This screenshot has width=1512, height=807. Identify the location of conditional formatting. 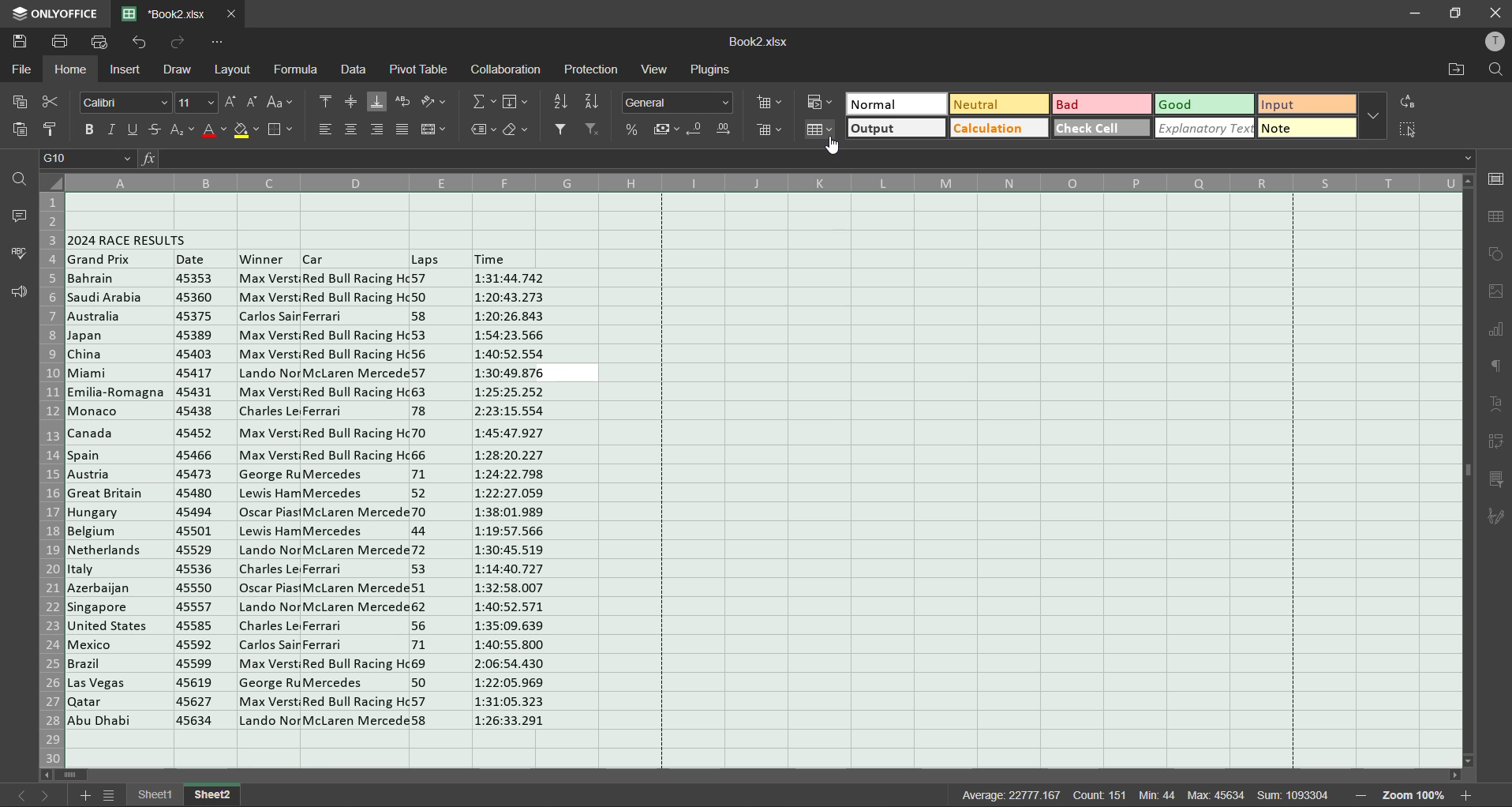
(818, 100).